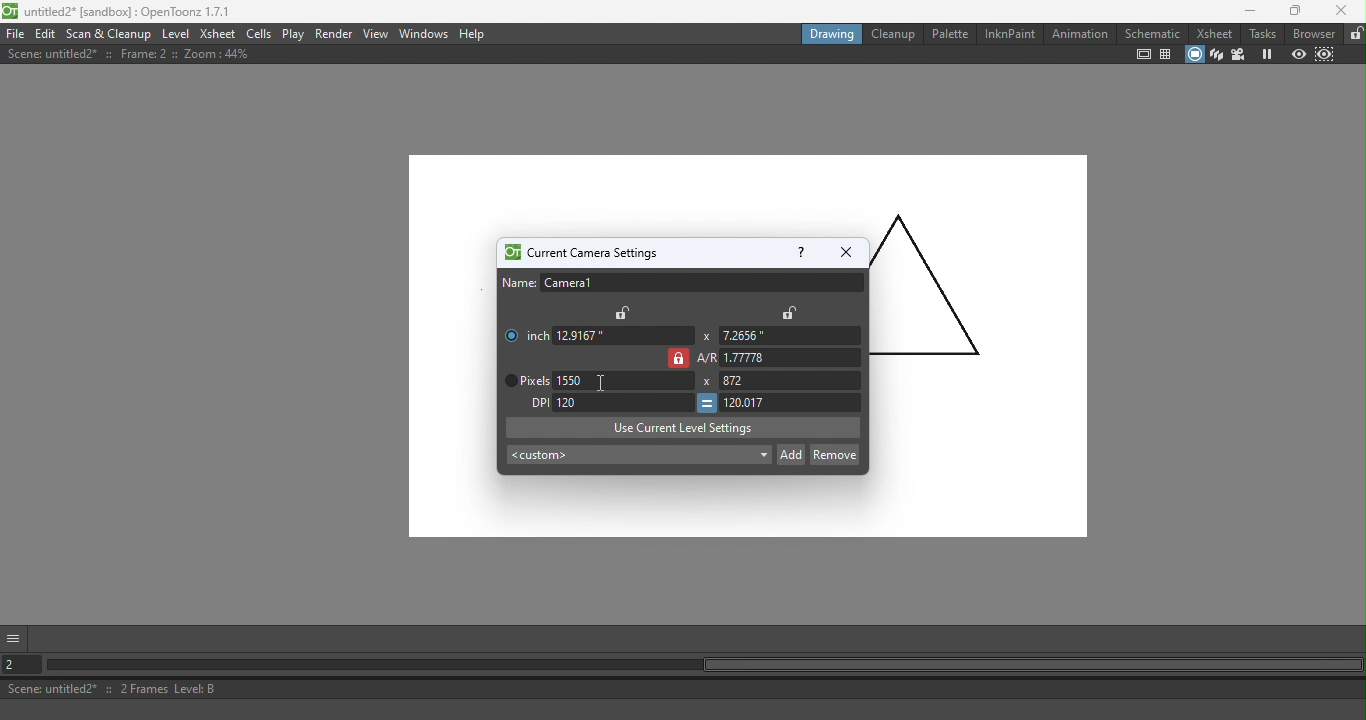  Describe the element at coordinates (16, 637) in the screenshot. I see `More options` at that location.